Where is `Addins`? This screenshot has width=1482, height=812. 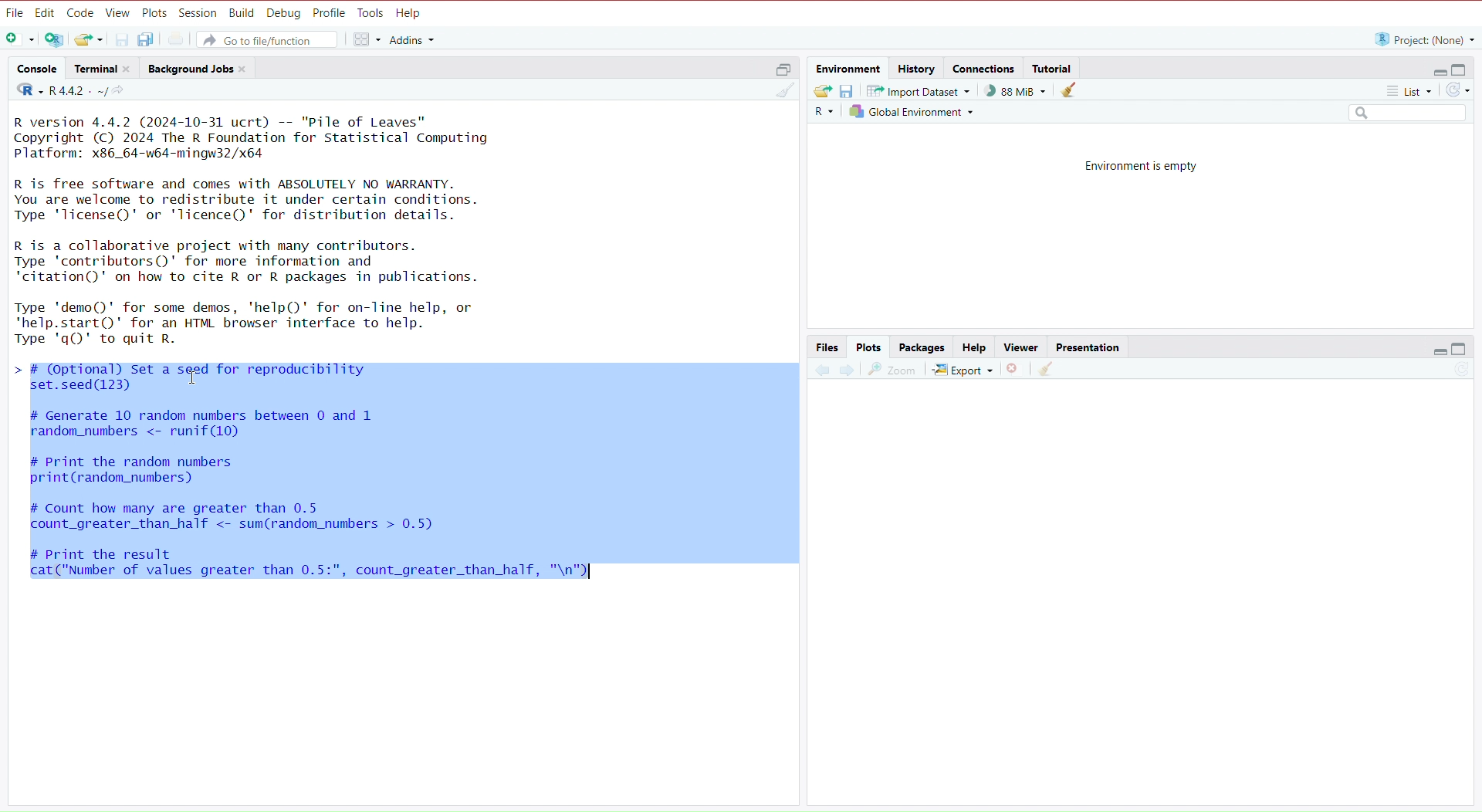 Addins is located at coordinates (411, 41).